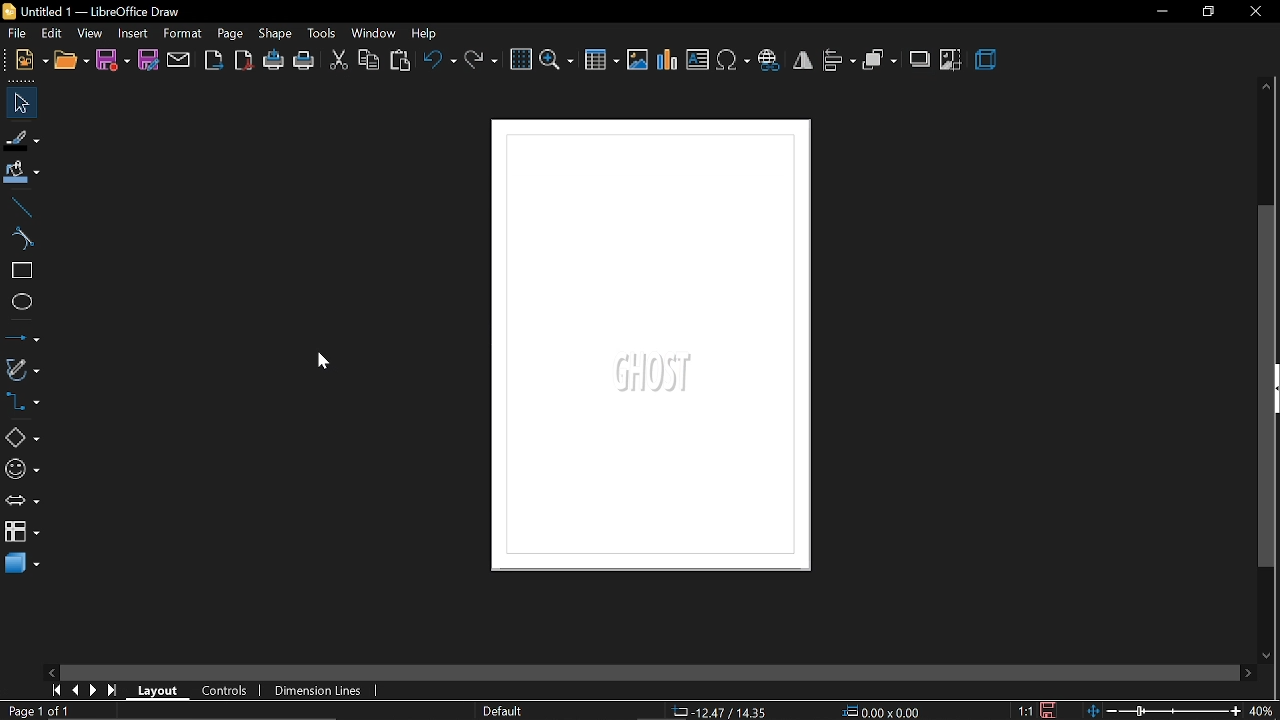 The height and width of the screenshot is (720, 1280). Describe the element at coordinates (19, 34) in the screenshot. I see `file` at that location.